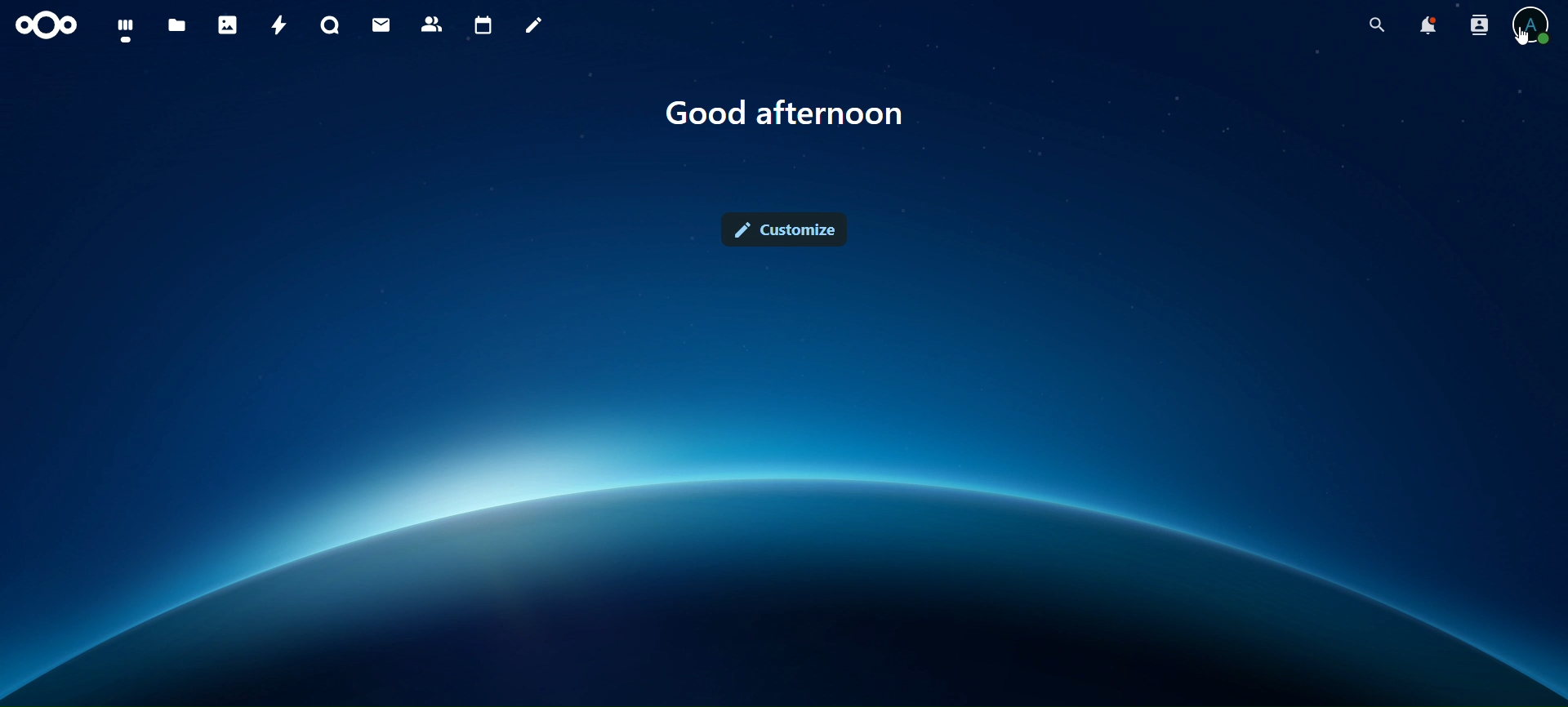 Image resolution: width=1568 pixels, height=707 pixels. Describe the element at coordinates (122, 29) in the screenshot. I see `dashboard` at that location.